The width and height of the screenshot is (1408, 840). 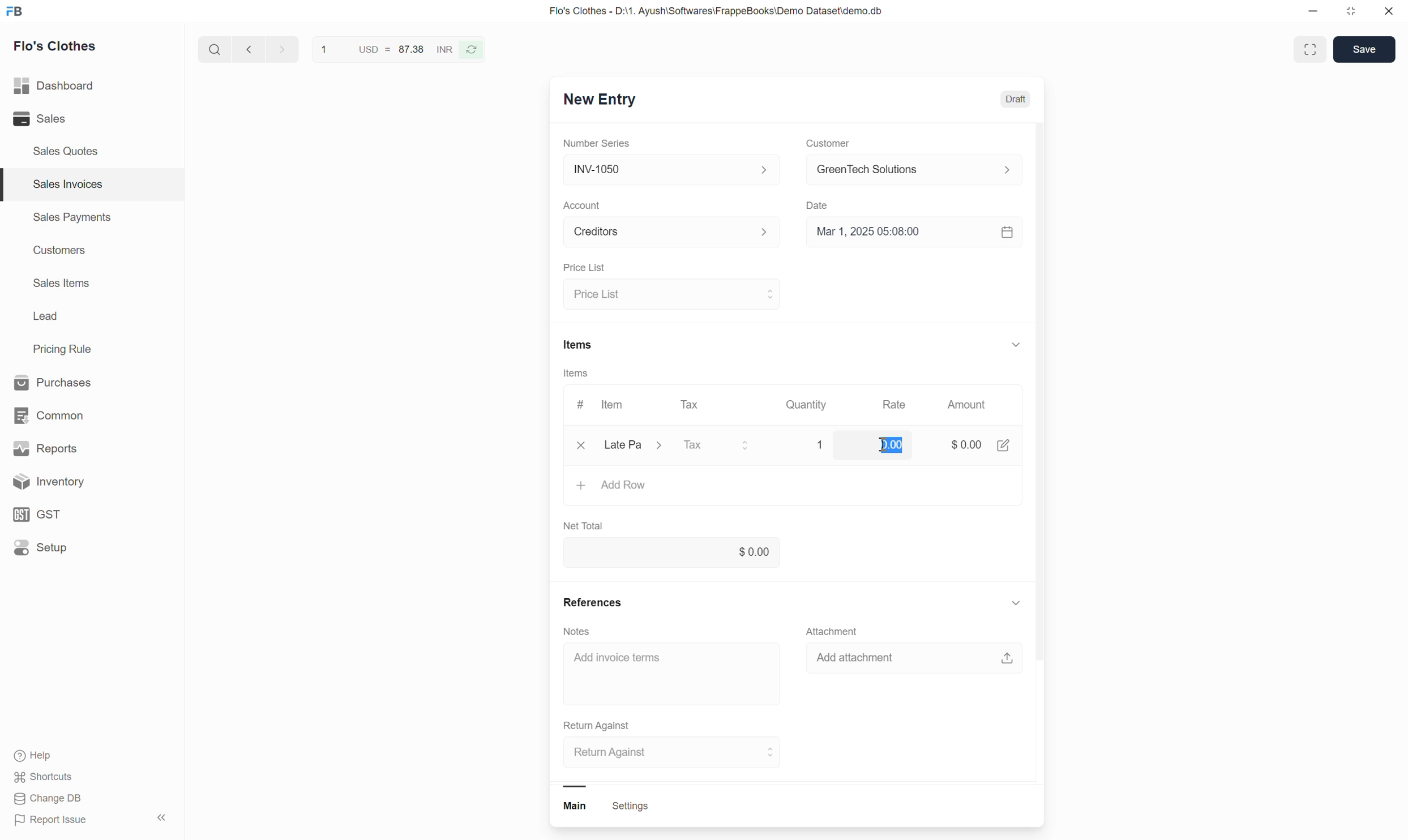 I want to click on Setup, so click(x=82, y=551).